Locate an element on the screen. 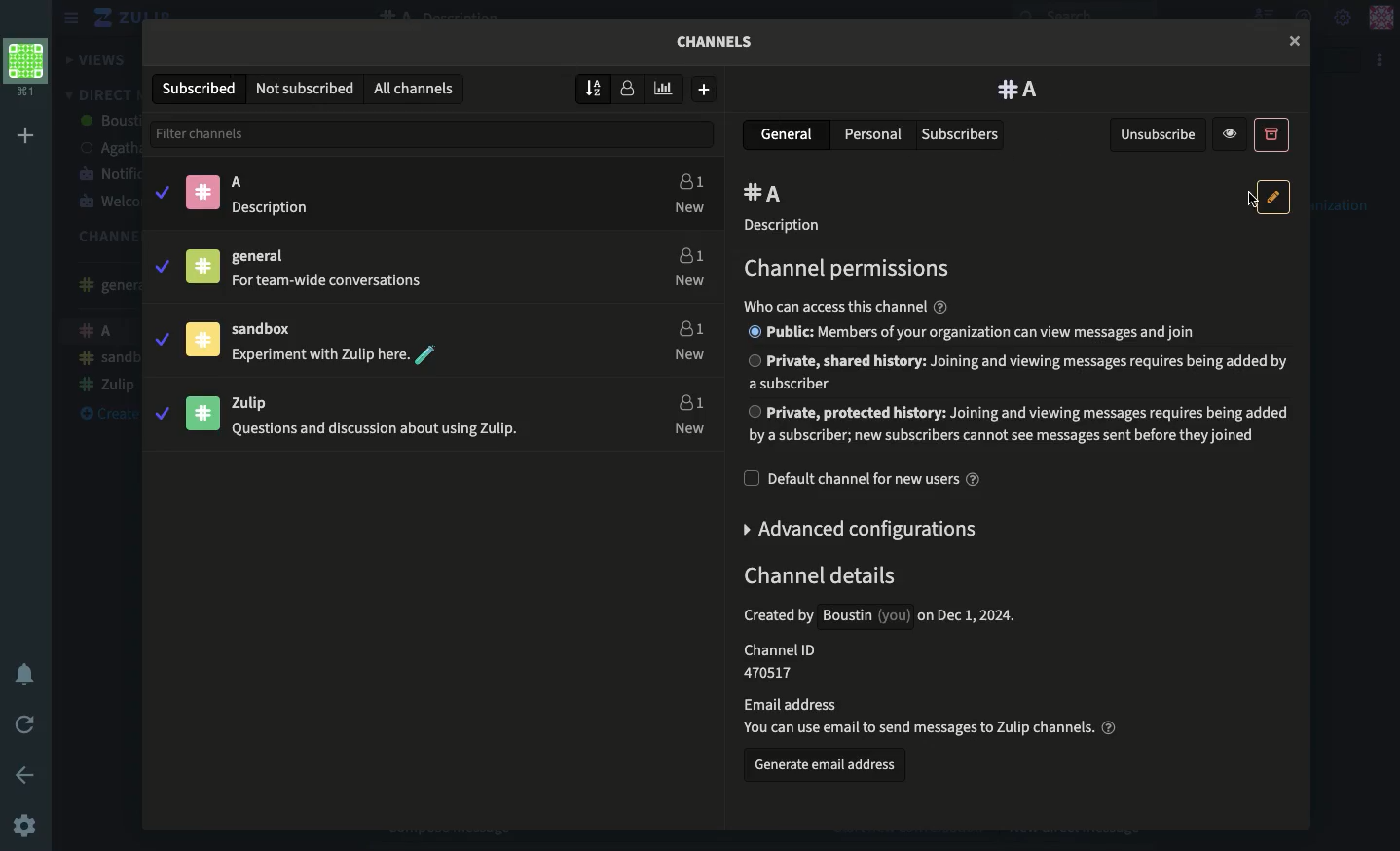 The image size is (1400, 851). Zulip is located at coordinates (112, 18).